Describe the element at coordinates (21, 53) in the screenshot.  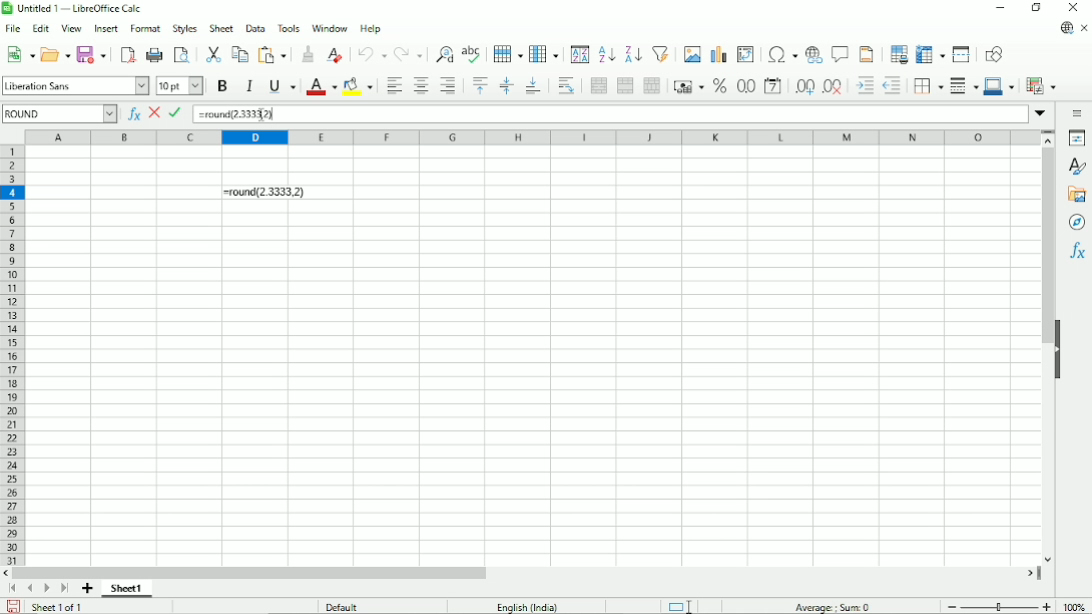
I see `New` at that location.